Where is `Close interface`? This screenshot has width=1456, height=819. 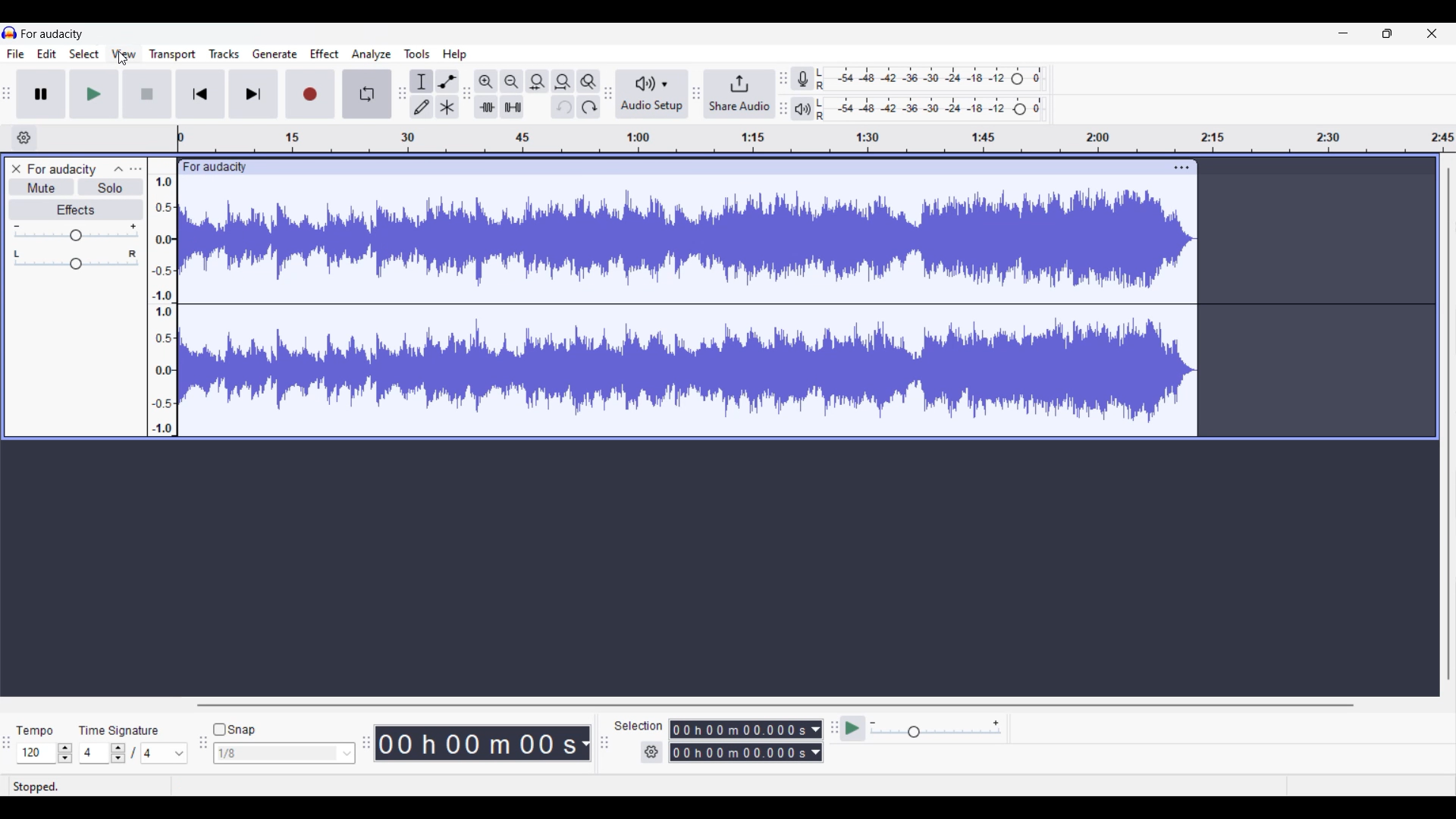
Close interface is located at coordinates (1432, 33).